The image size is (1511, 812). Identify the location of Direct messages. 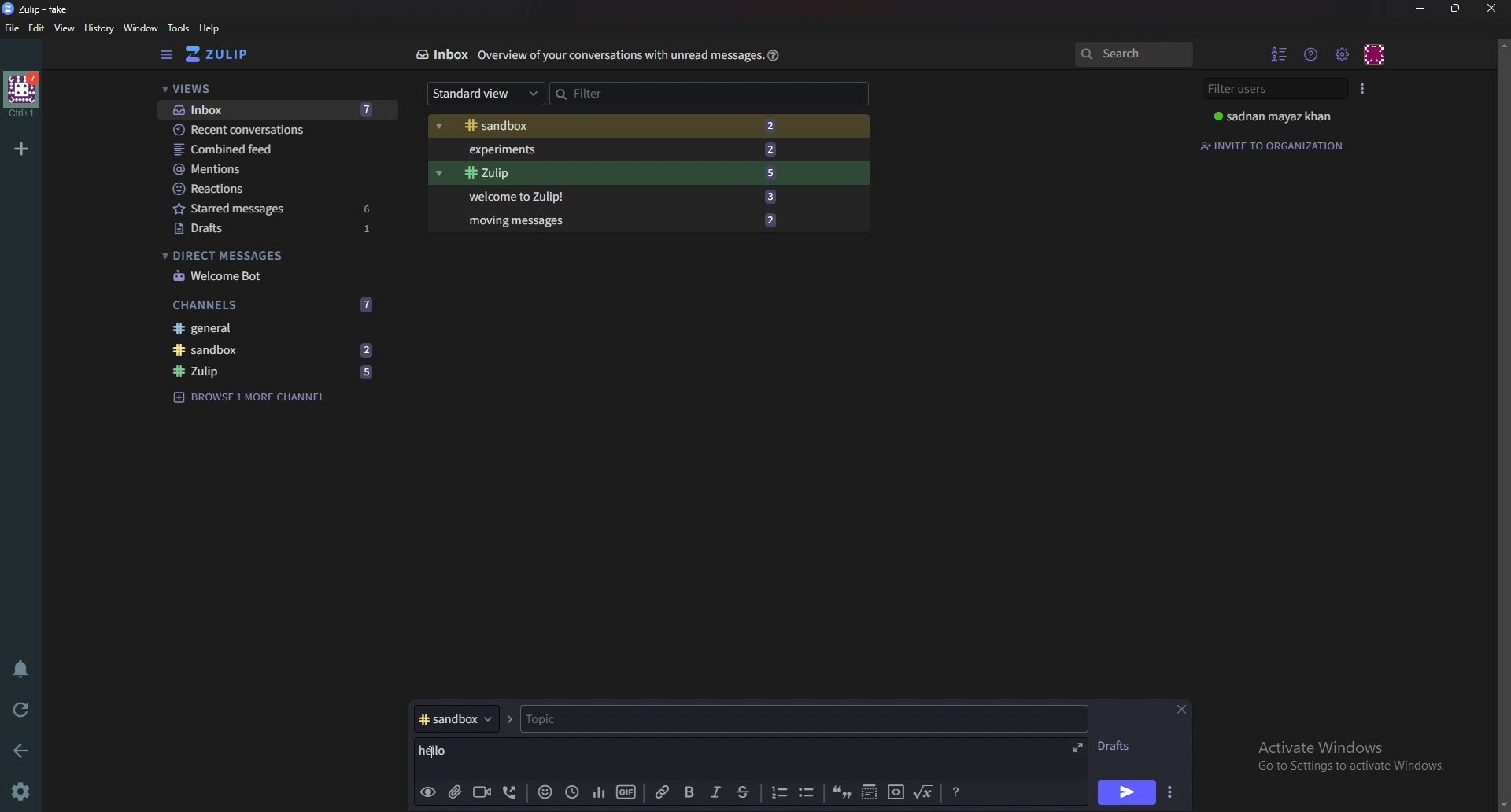
(268, 254).